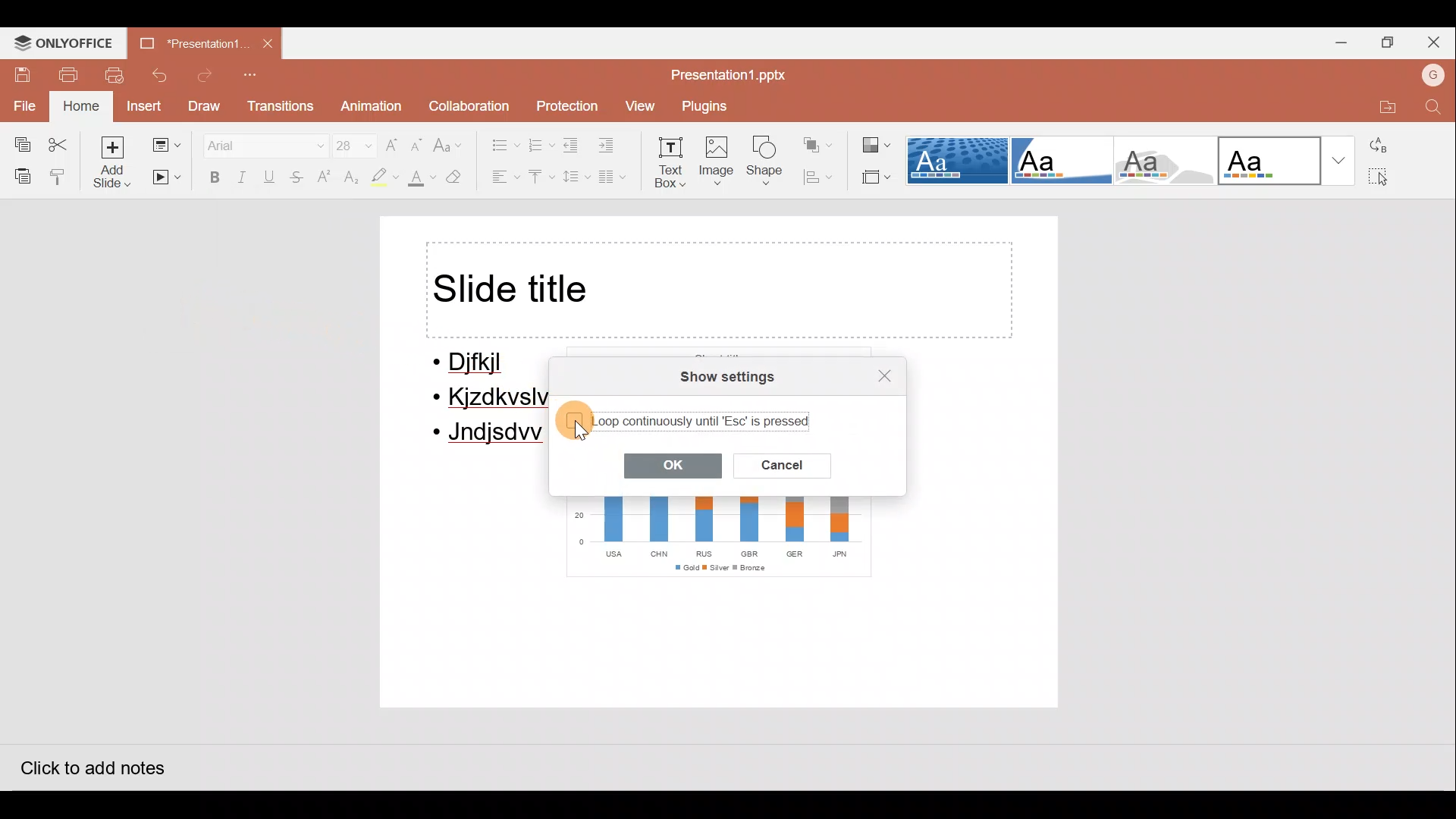 The height and width of the screenshot is (819, 1456). I want to click on Cut, so click(65, 143).